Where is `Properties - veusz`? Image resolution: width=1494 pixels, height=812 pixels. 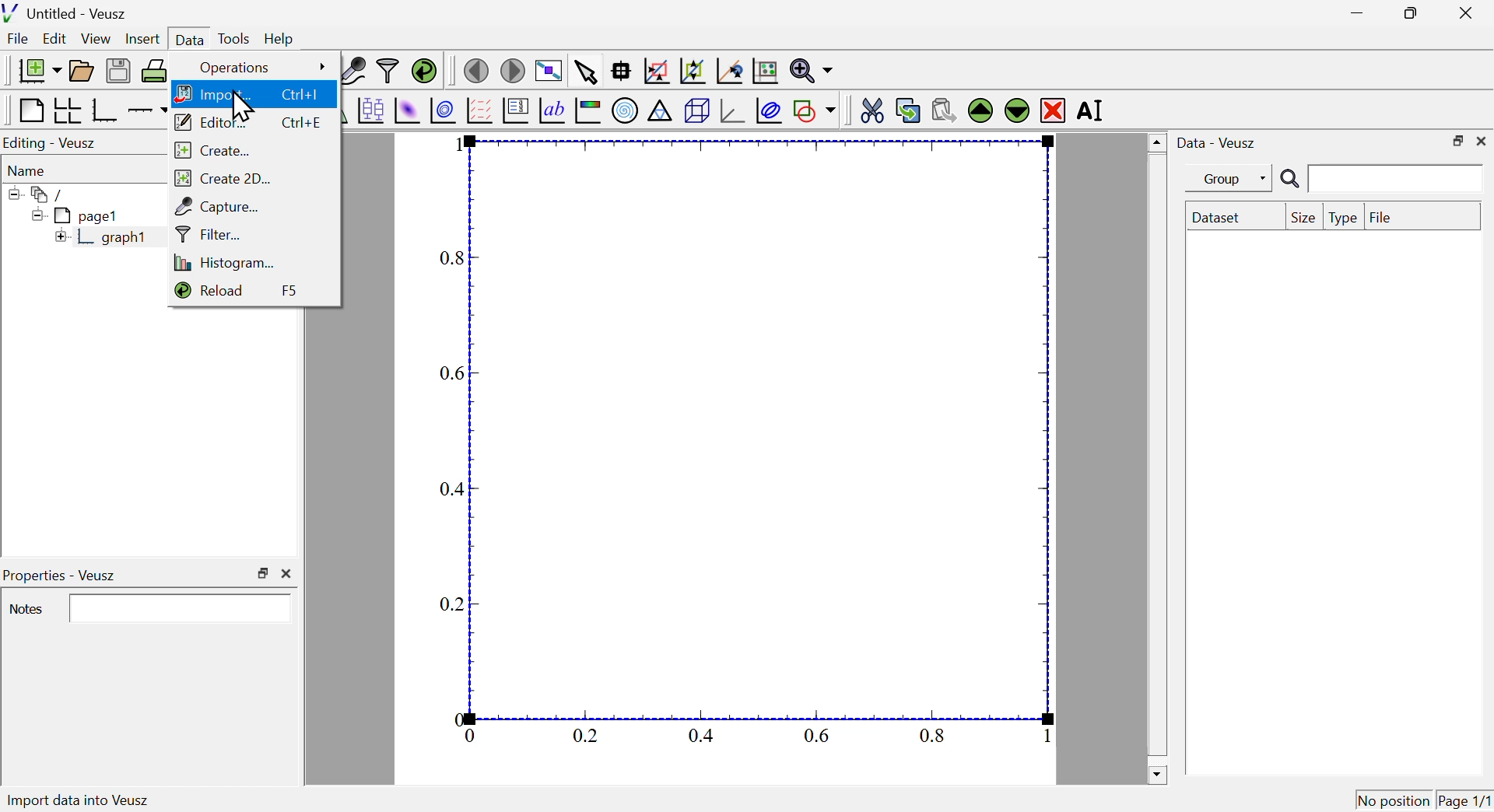
Properties - veusz is located at coordinates (62, 576).